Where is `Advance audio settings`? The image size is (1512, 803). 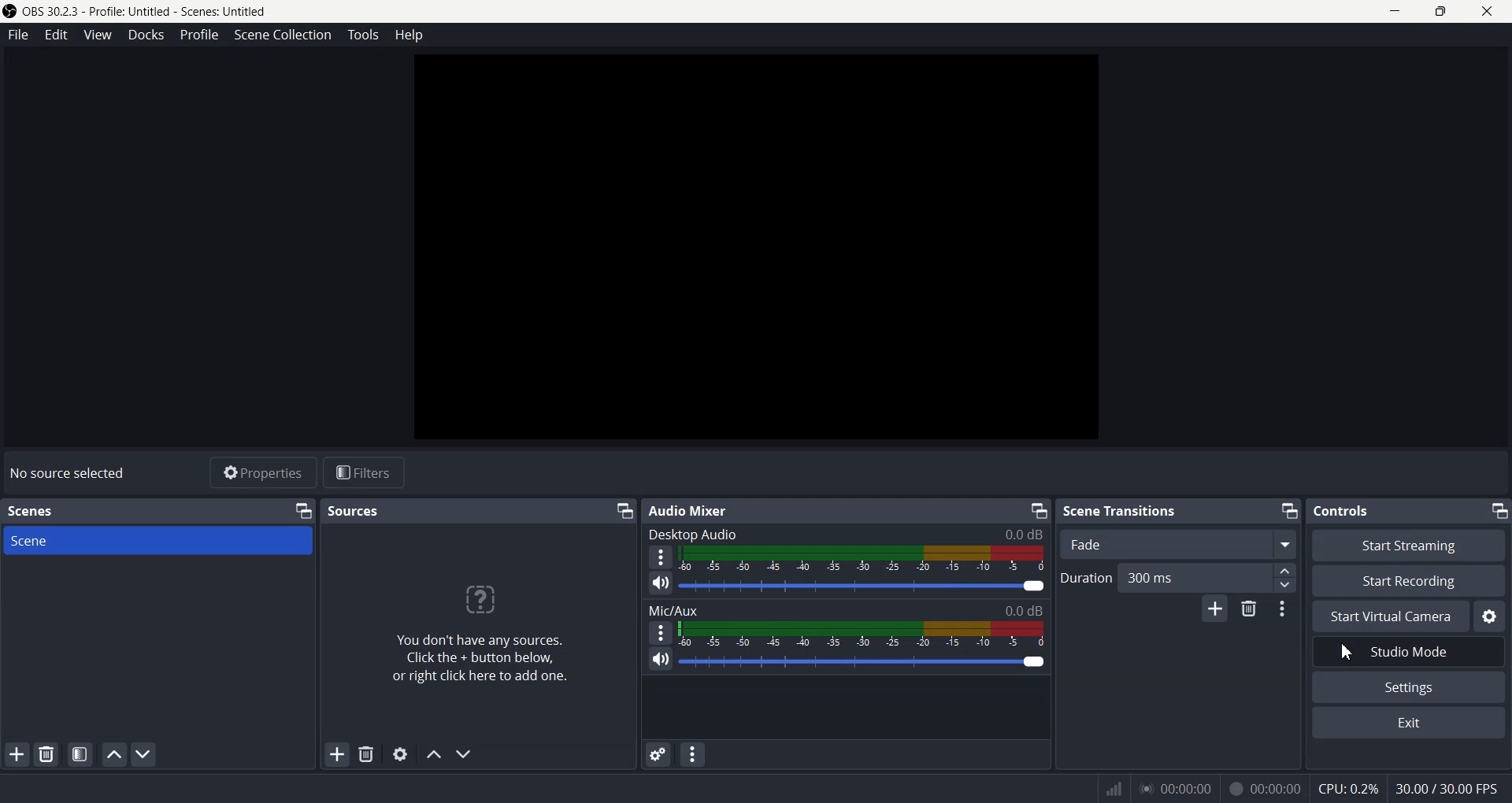 Advance audio settings is located at coordinates (658, 755).